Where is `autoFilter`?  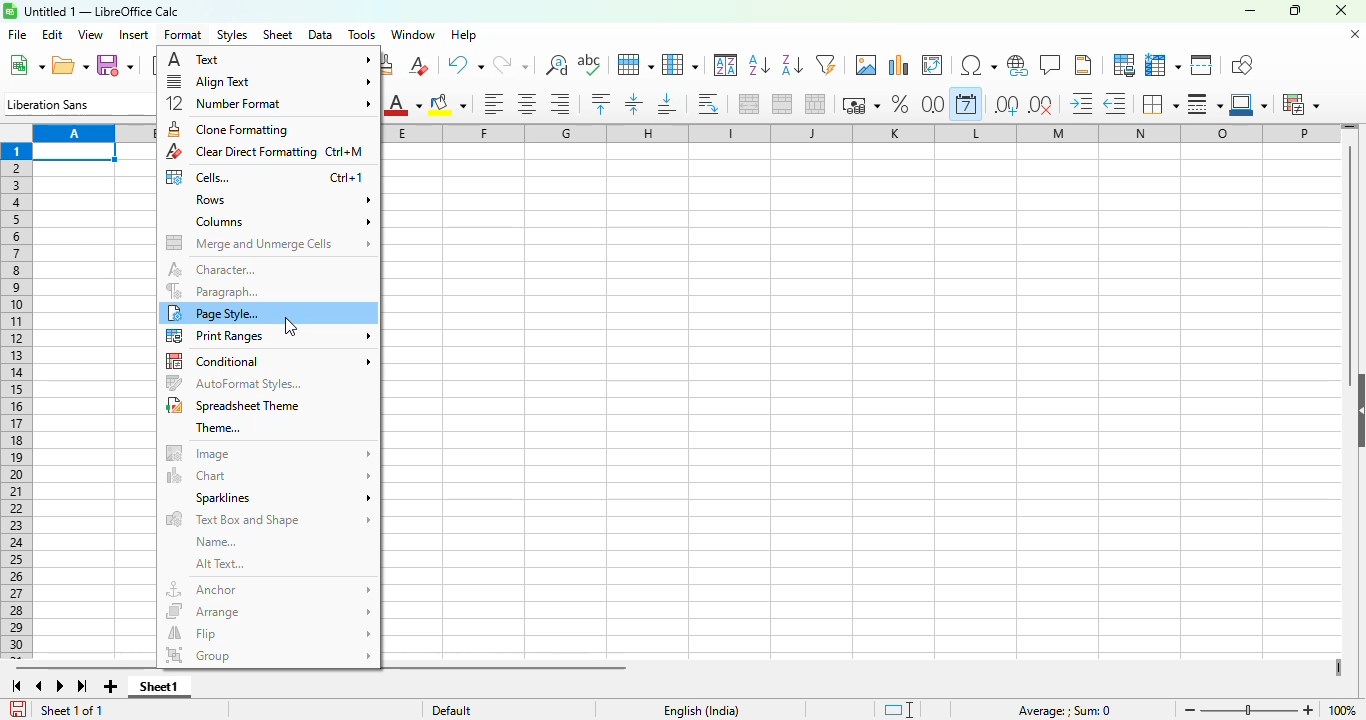
autoFilter is located at coordinates (826, 65).